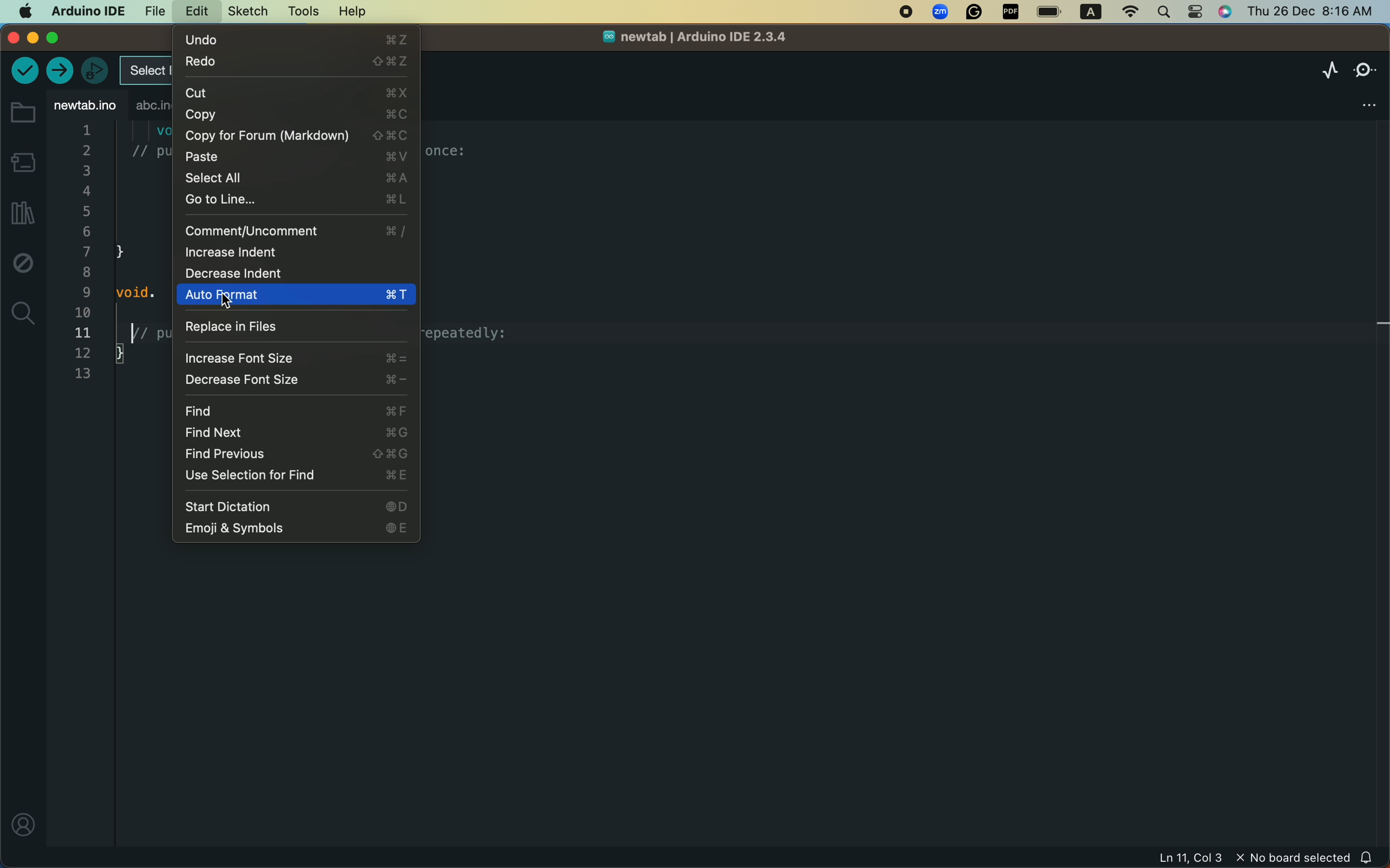 The image size is (1390, 868). I want to click on , so click(941, 13).